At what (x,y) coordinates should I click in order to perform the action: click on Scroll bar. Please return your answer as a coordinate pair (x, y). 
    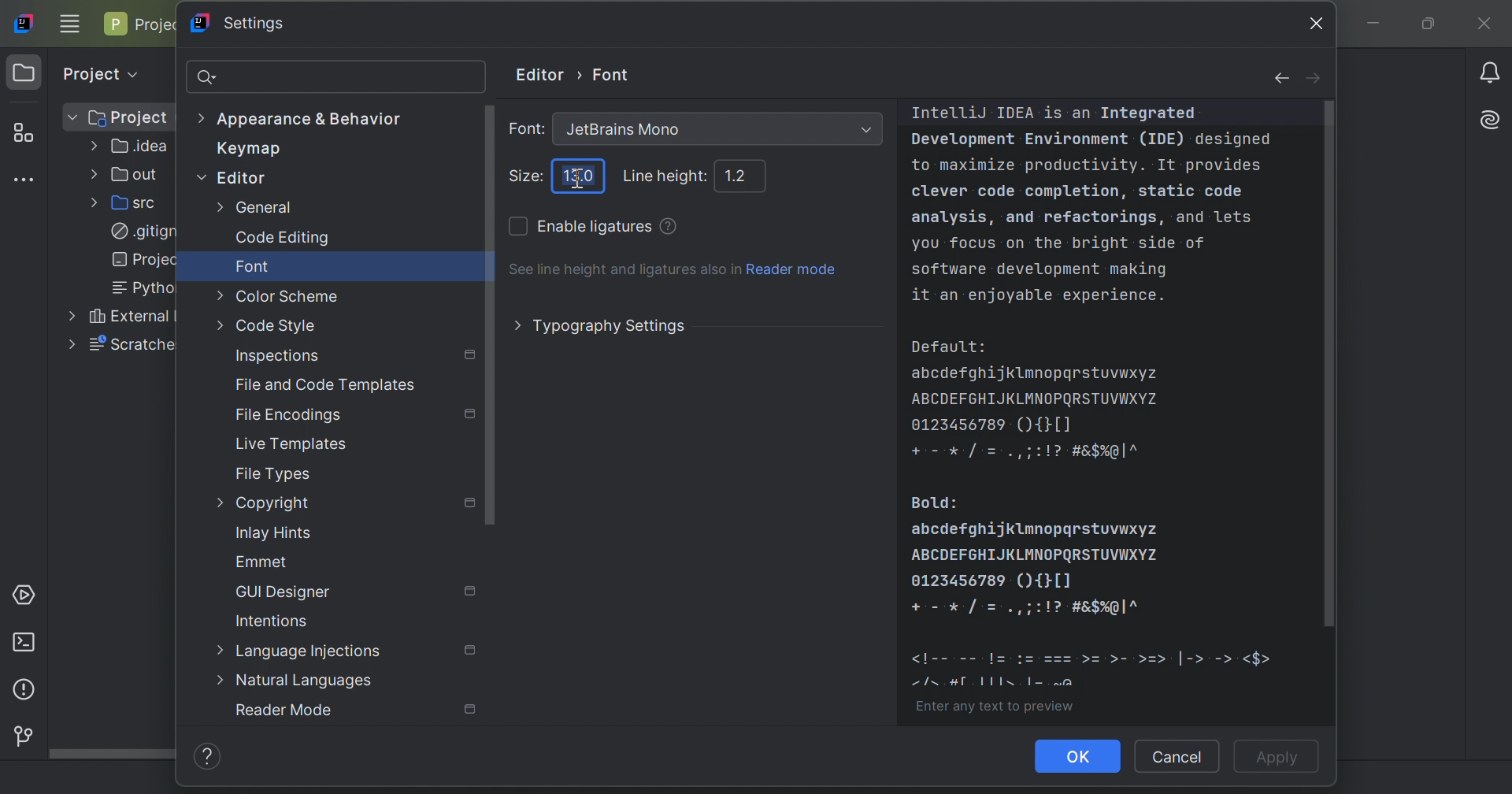
    Looking at the image, I should click on (112, 755).